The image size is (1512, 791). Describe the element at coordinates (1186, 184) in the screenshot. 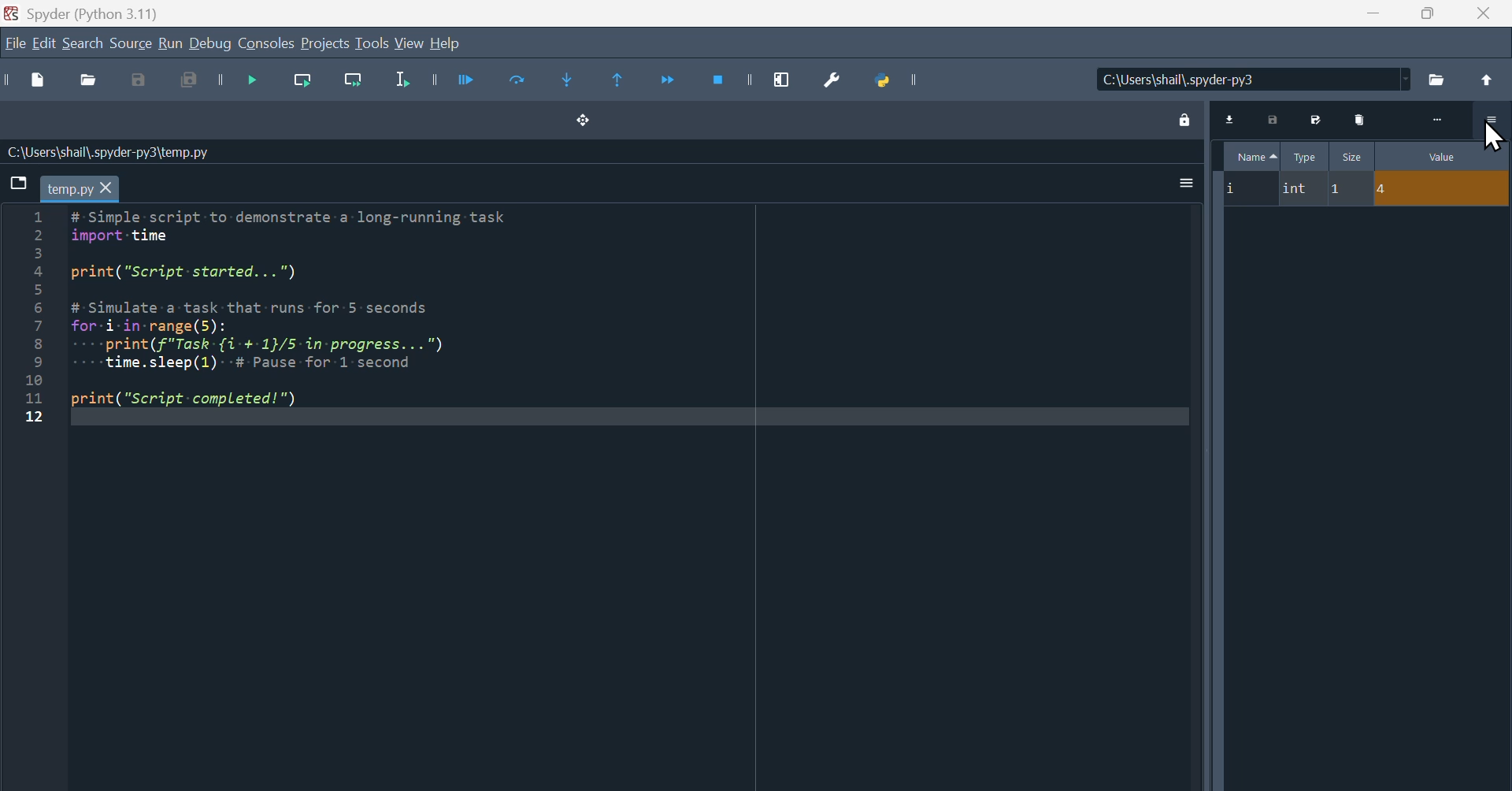

I see `More options` at that location.